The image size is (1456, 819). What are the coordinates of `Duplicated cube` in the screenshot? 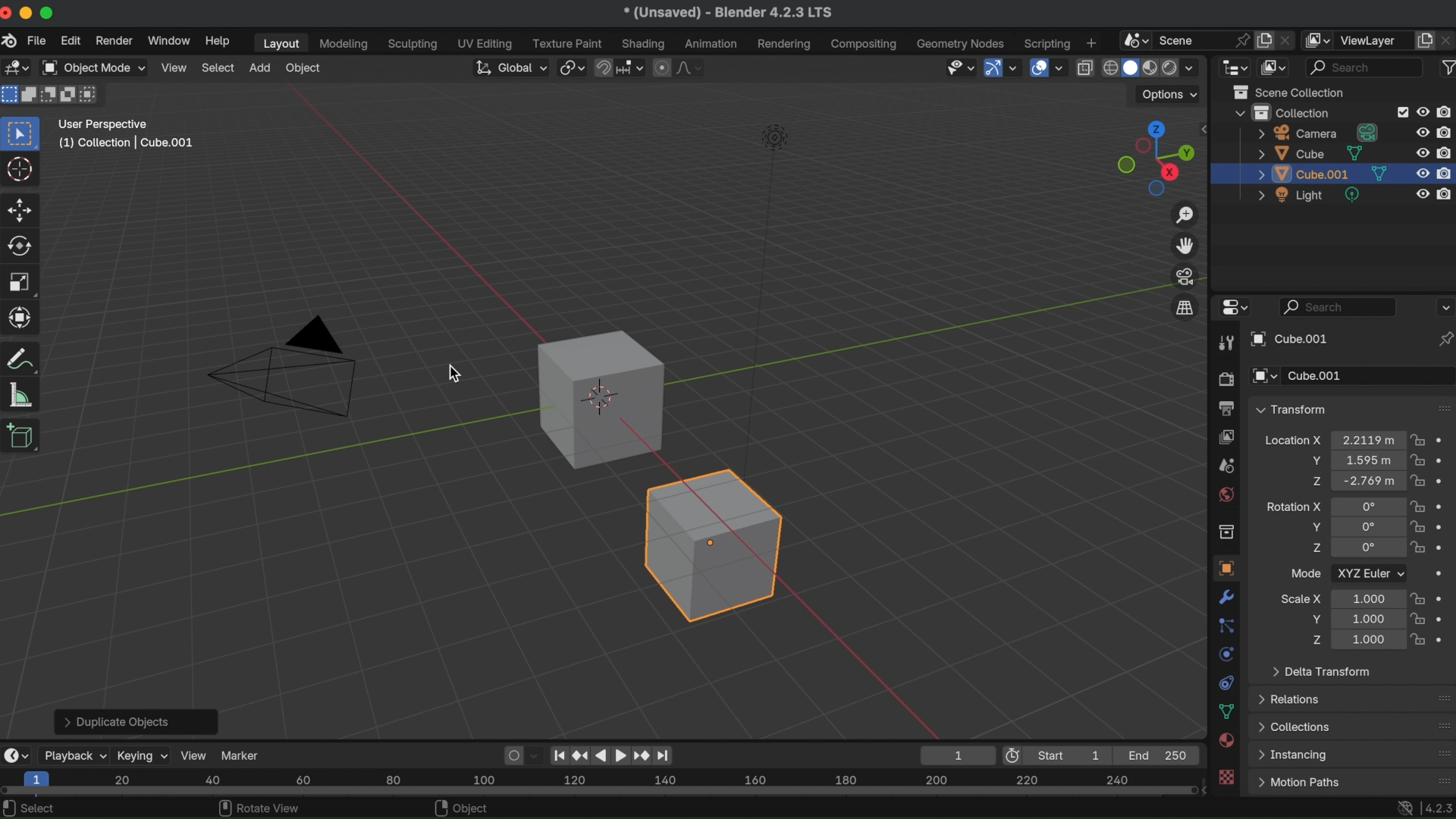 It's located at (715, 545).